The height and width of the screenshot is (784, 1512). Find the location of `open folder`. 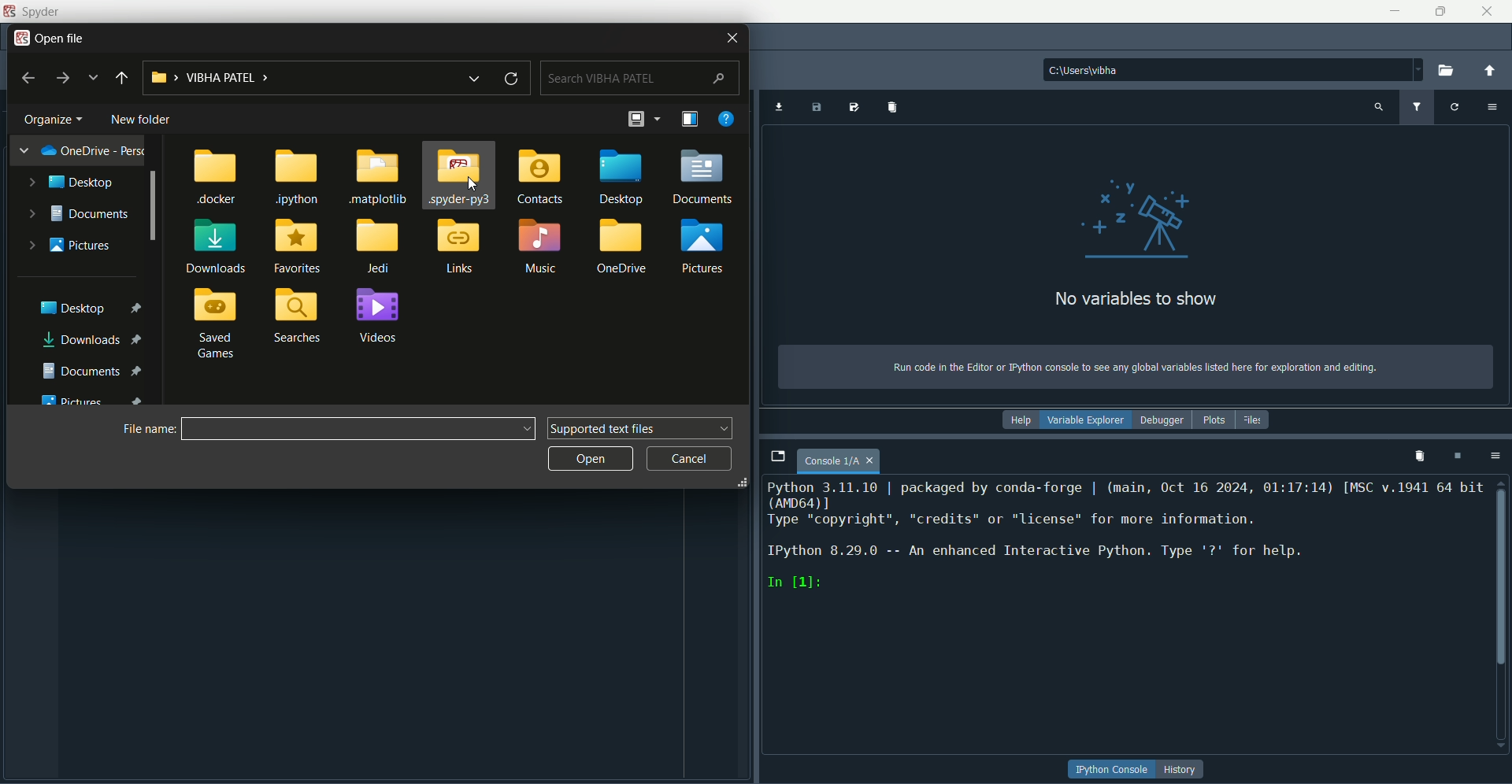

open folder is located at coordinates (1450, 70).